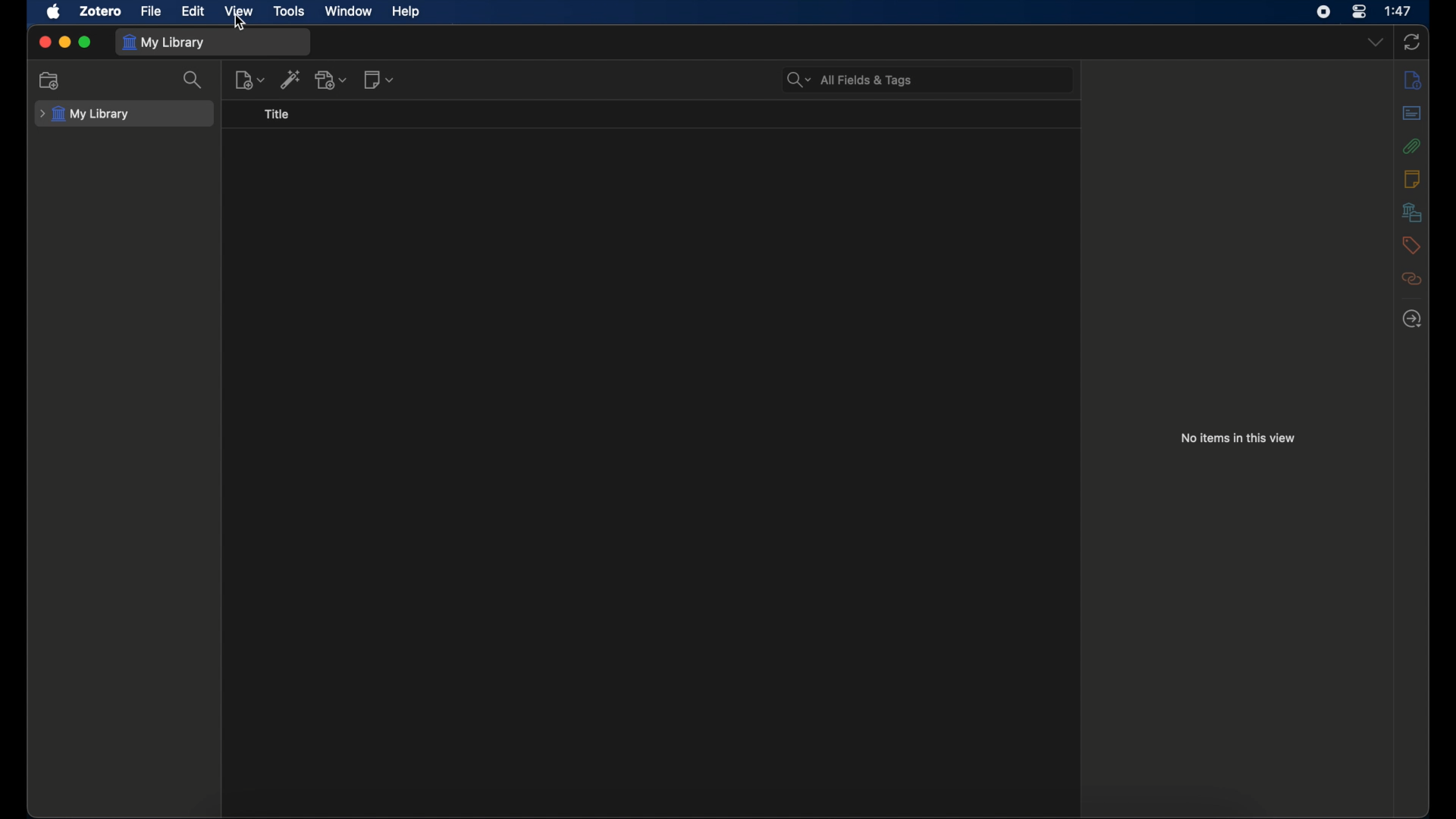  What do you see at coordinates (332, 80) in the screenshot?
I see `add attachments` at bounding box center [332, 80].